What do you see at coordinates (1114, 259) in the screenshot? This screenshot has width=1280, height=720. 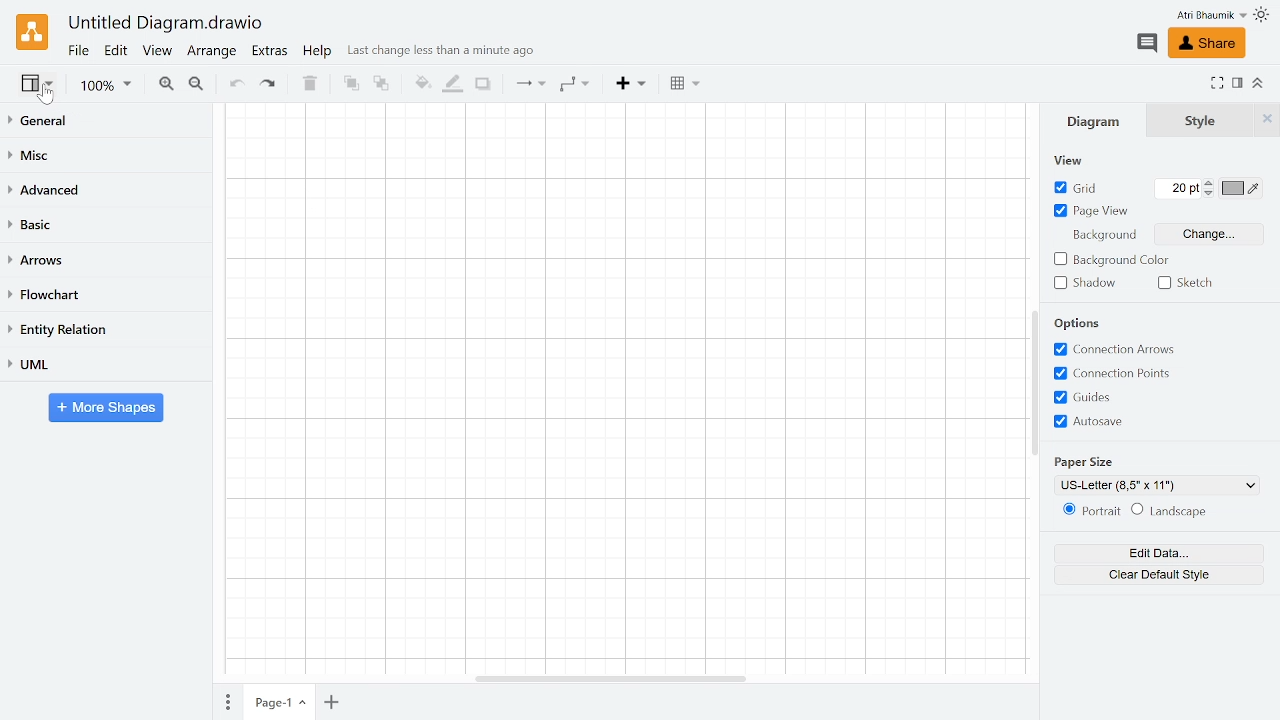 I see `Background color` at bounding box center [1114, 259].